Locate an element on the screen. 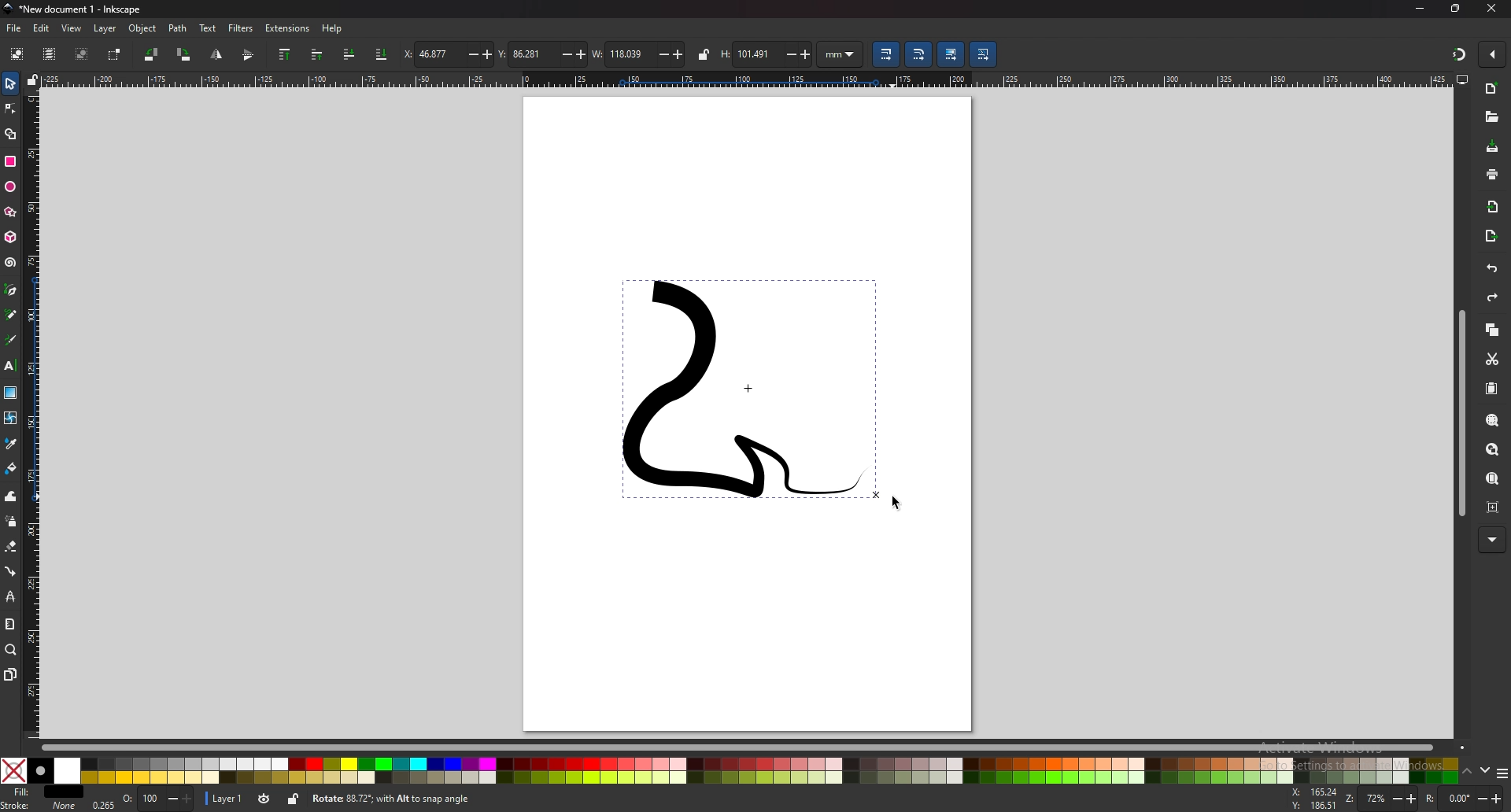  deselect is located at coordinates (83, 54).